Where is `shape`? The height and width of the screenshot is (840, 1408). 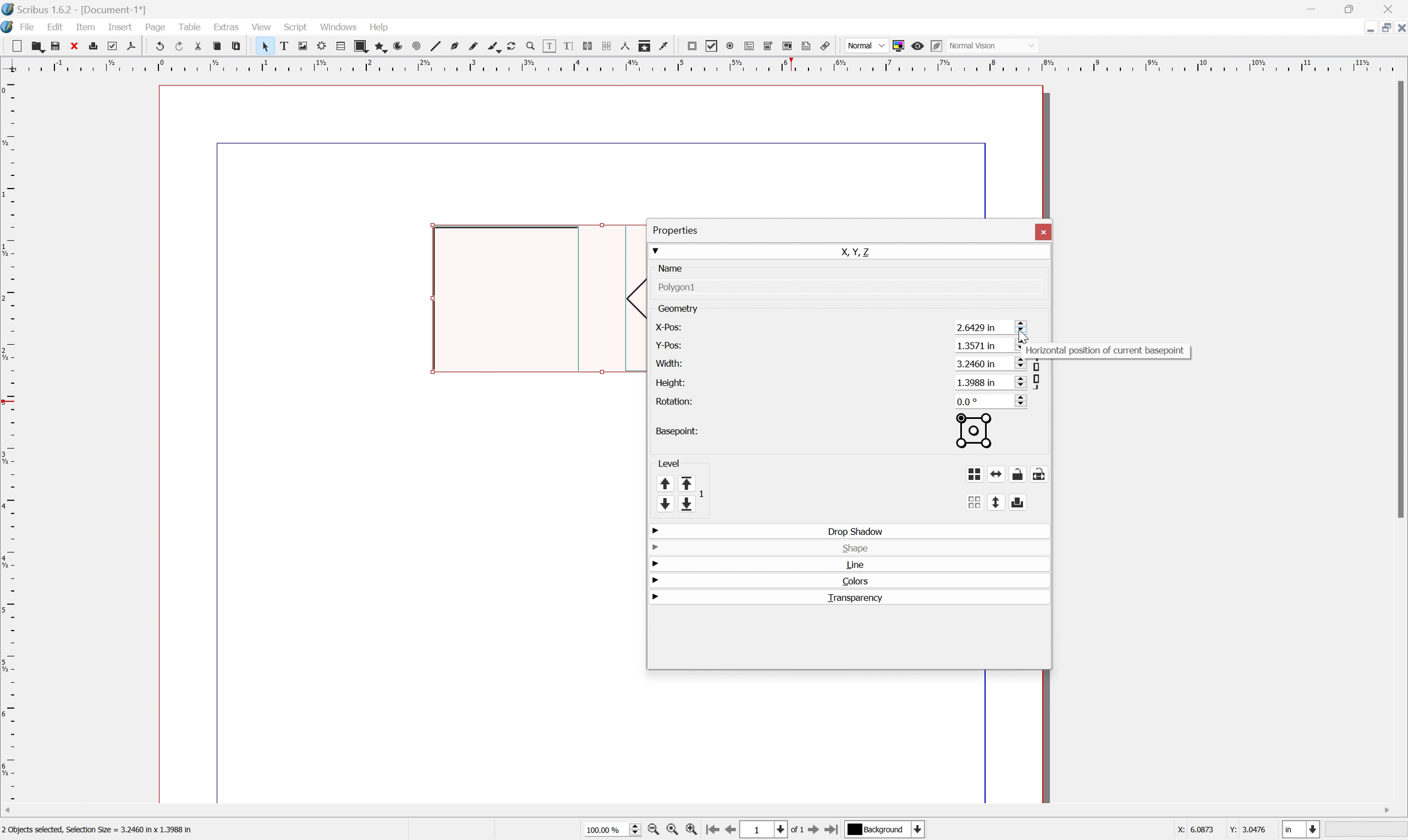 shape is located at coordinates (854, 547).